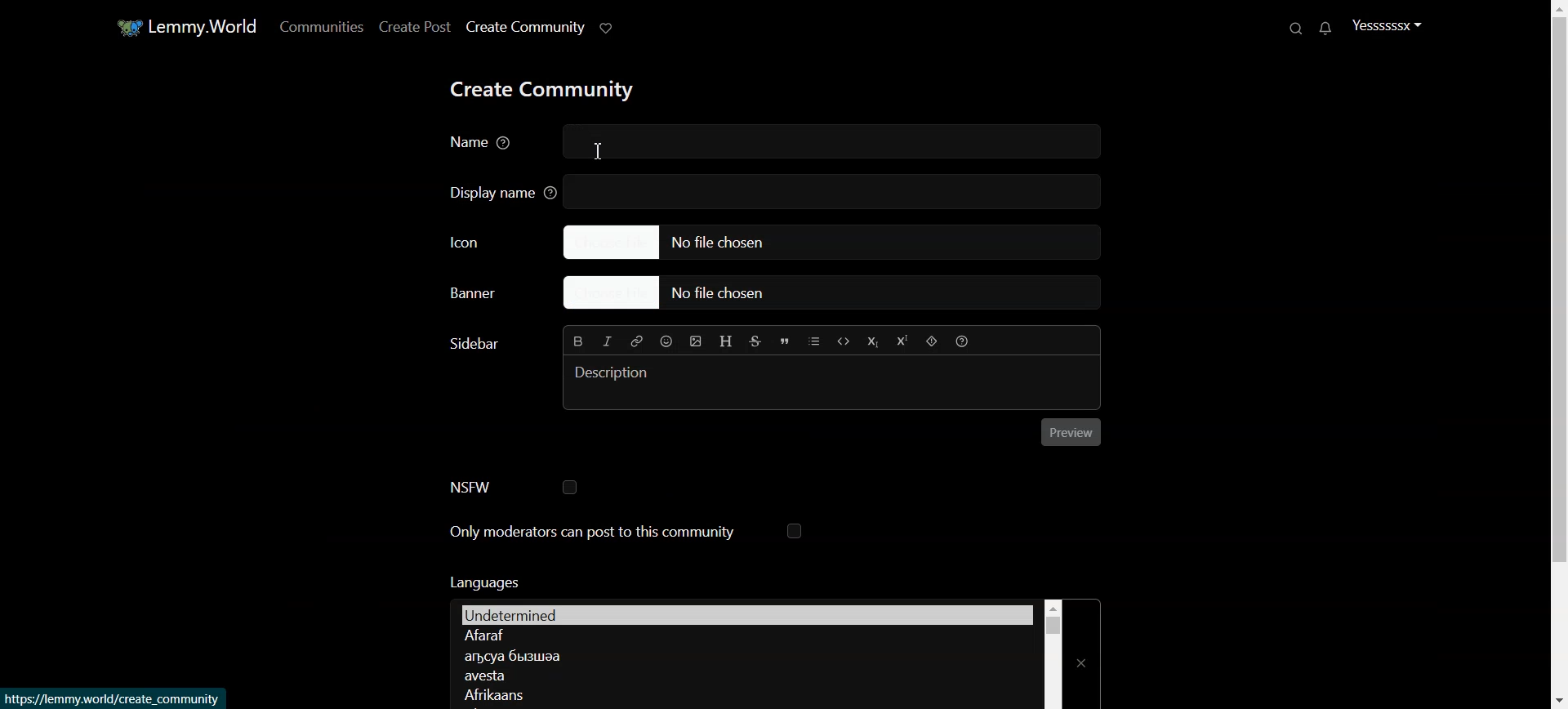 This screenshot has height=709, width=1568. I want to click on Create Community, so click(524, 27).